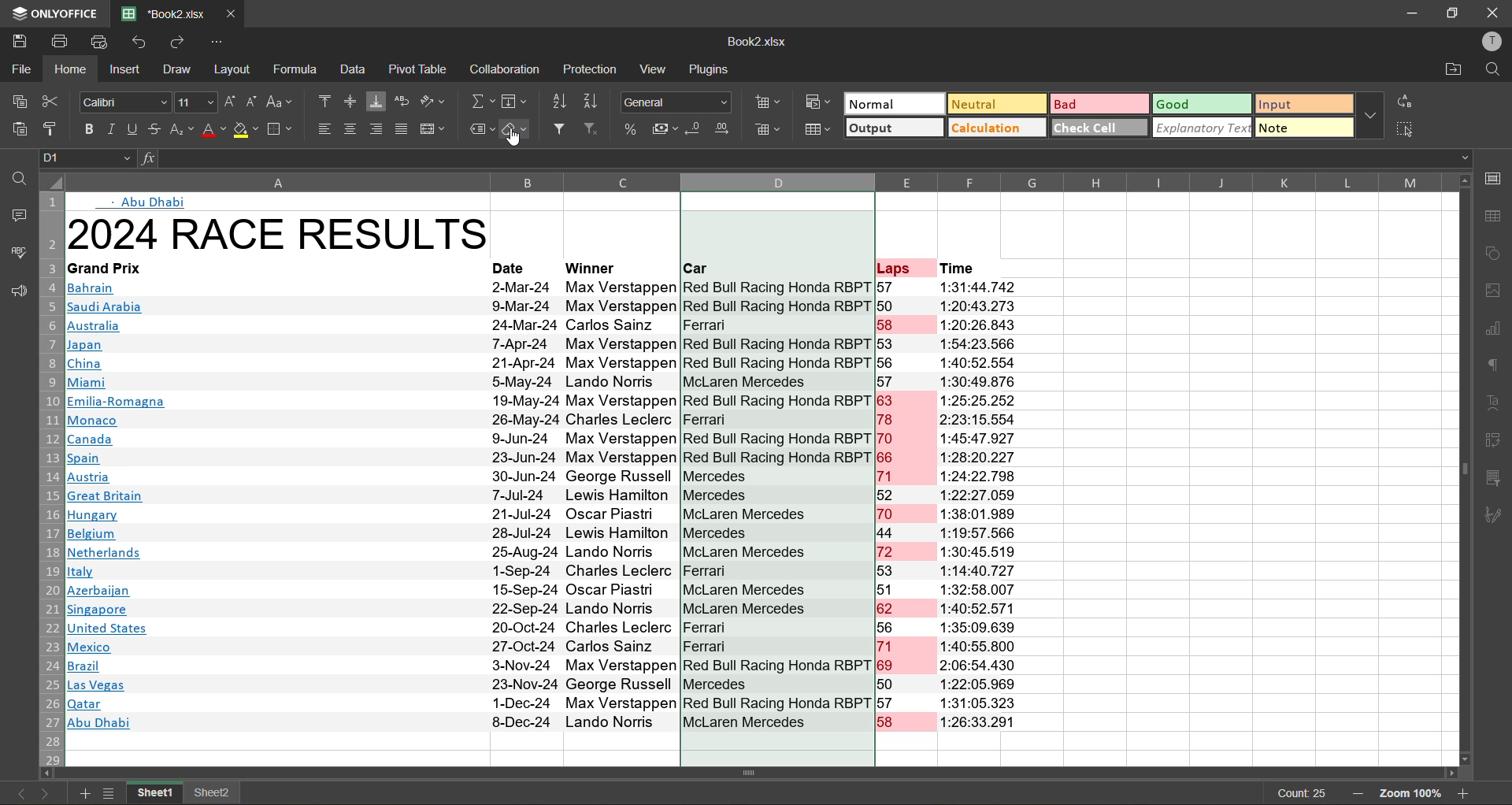 The width and height of the screenshot is (1512, 805). What do you see at coordinates (1494, 42) in the screenshot?
I see `profile` at bounding box center [1494, 42].